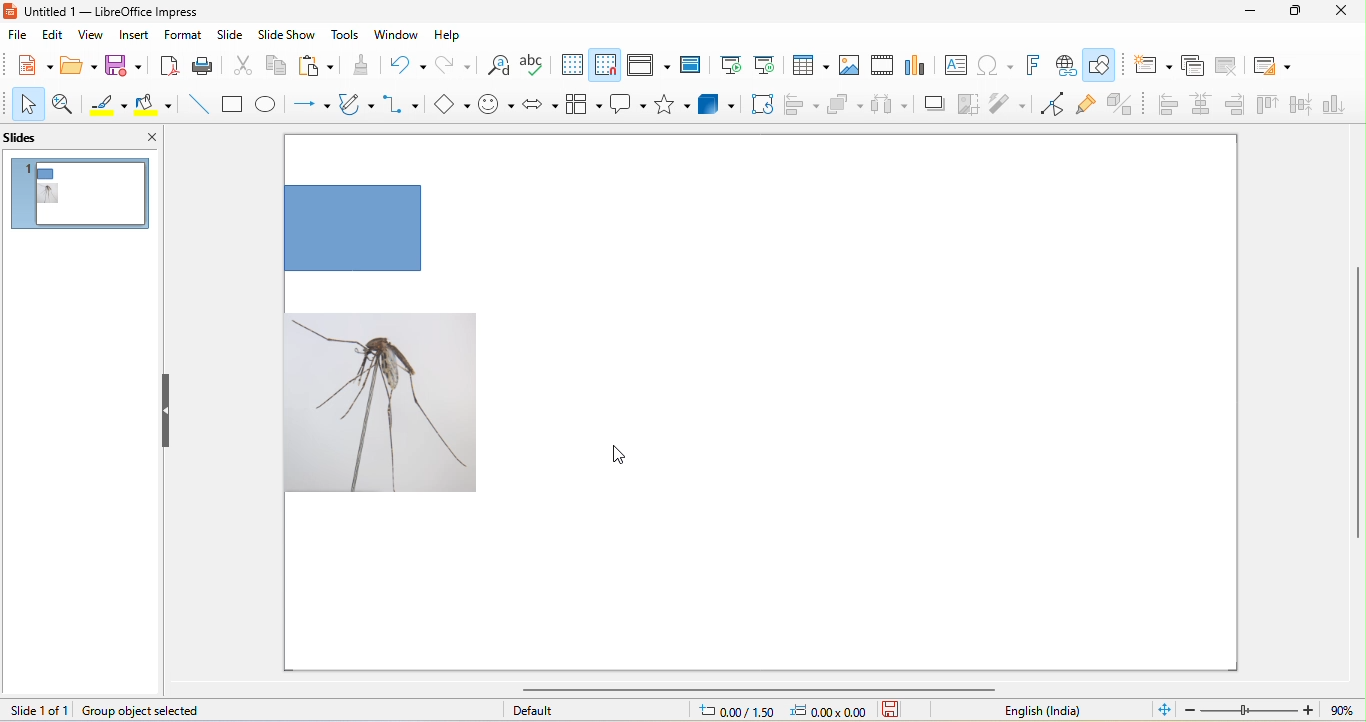  I want to click on tools, so click(347, 37).